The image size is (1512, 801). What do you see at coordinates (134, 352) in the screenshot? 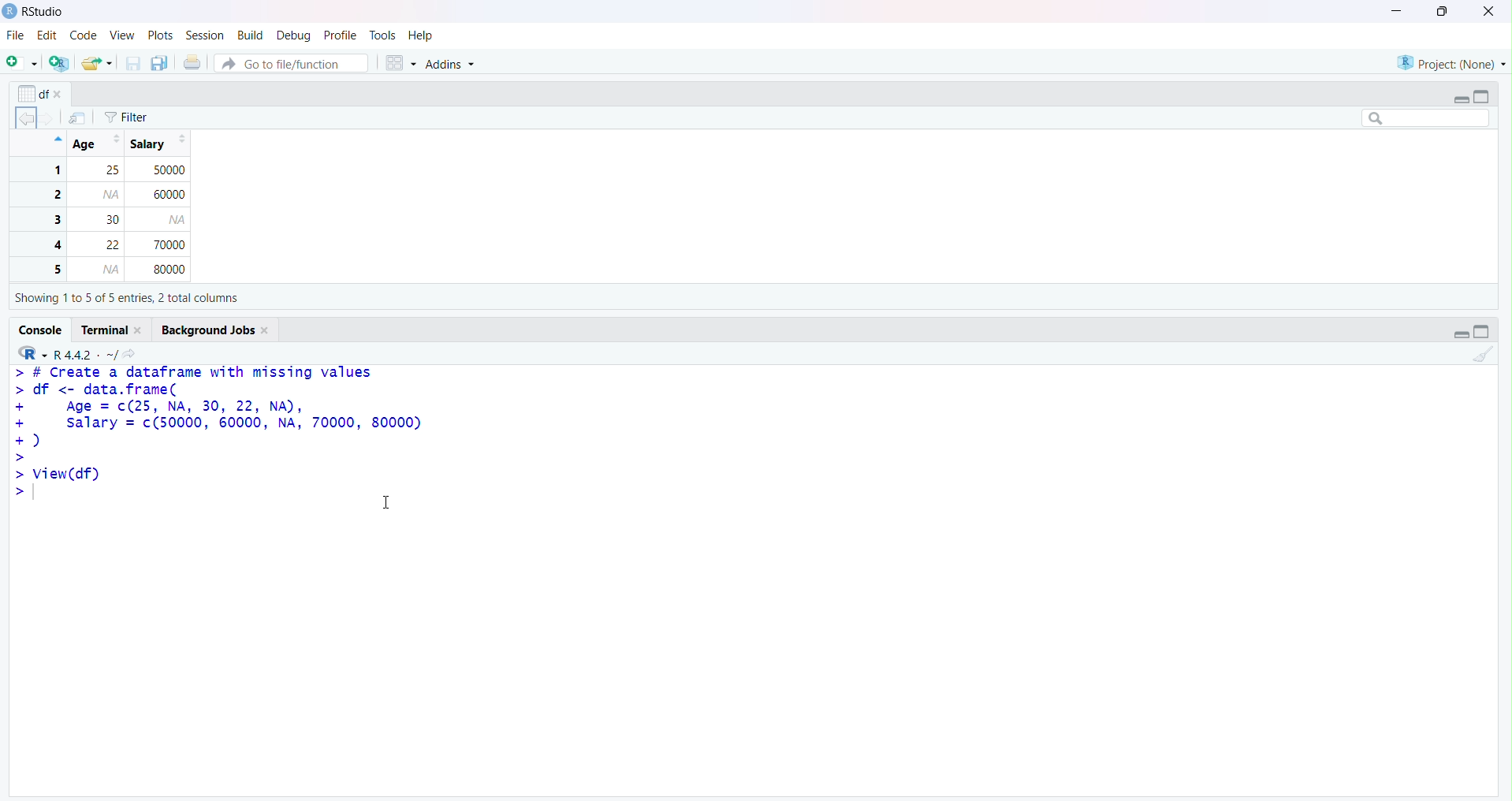
I see `View the current working directory` at bounding box center [134, 352].